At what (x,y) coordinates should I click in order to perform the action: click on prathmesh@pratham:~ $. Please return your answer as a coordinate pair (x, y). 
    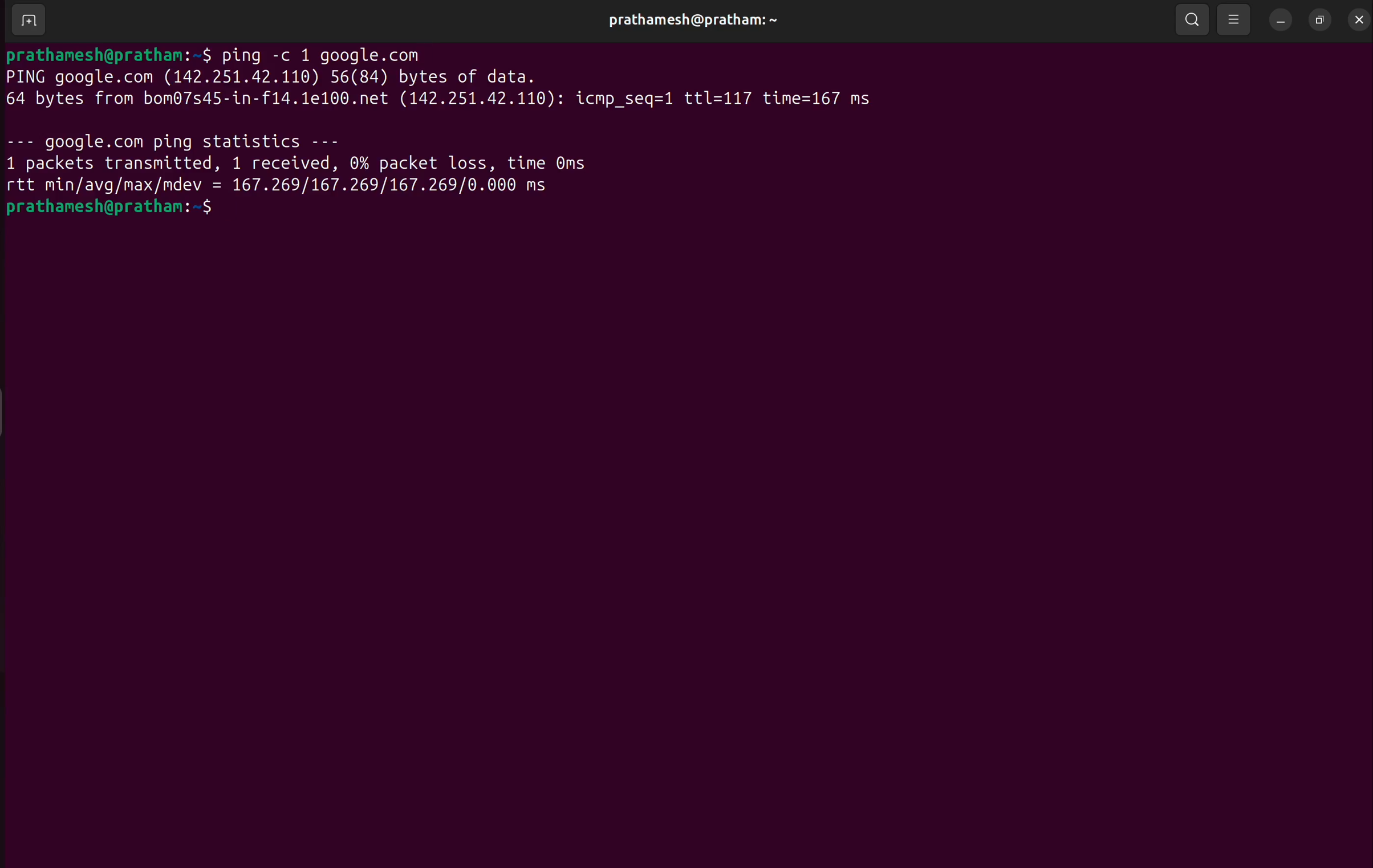
    Looking at the image, I should click on (117, 210).